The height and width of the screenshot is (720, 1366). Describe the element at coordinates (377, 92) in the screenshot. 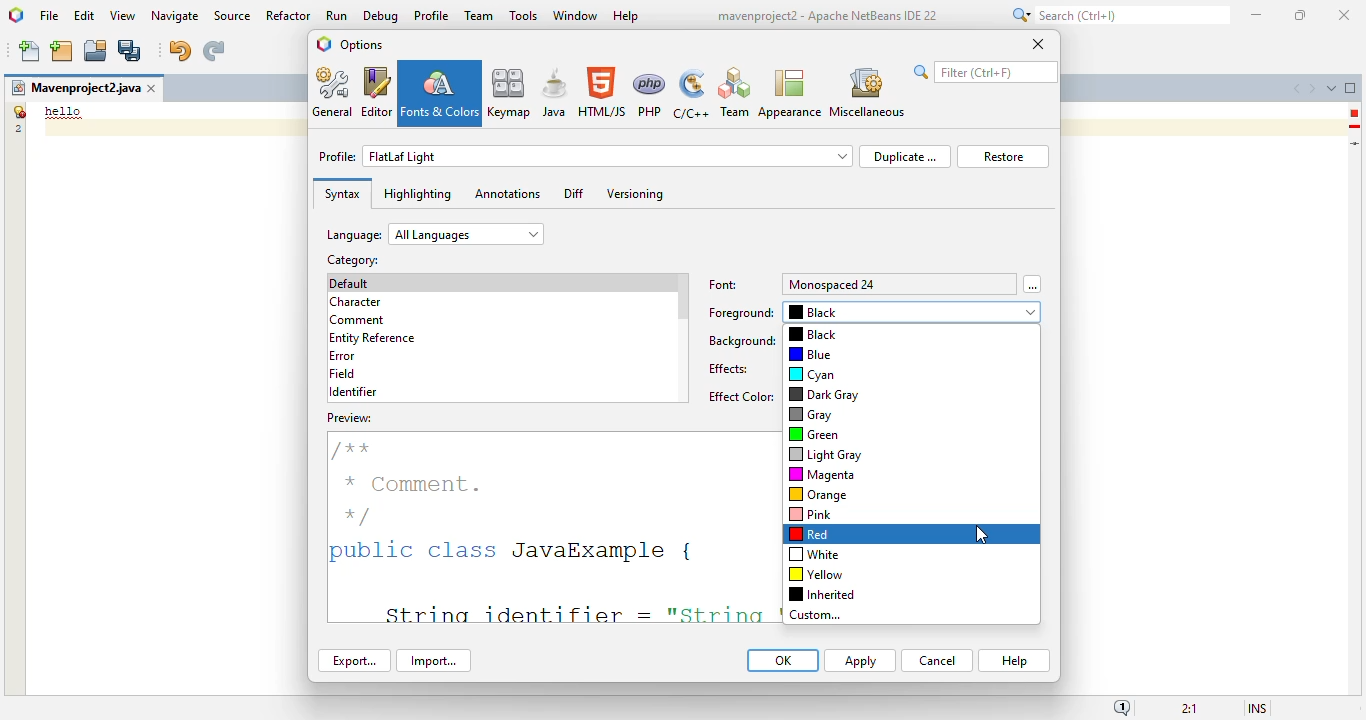

I see `editor` at that location.